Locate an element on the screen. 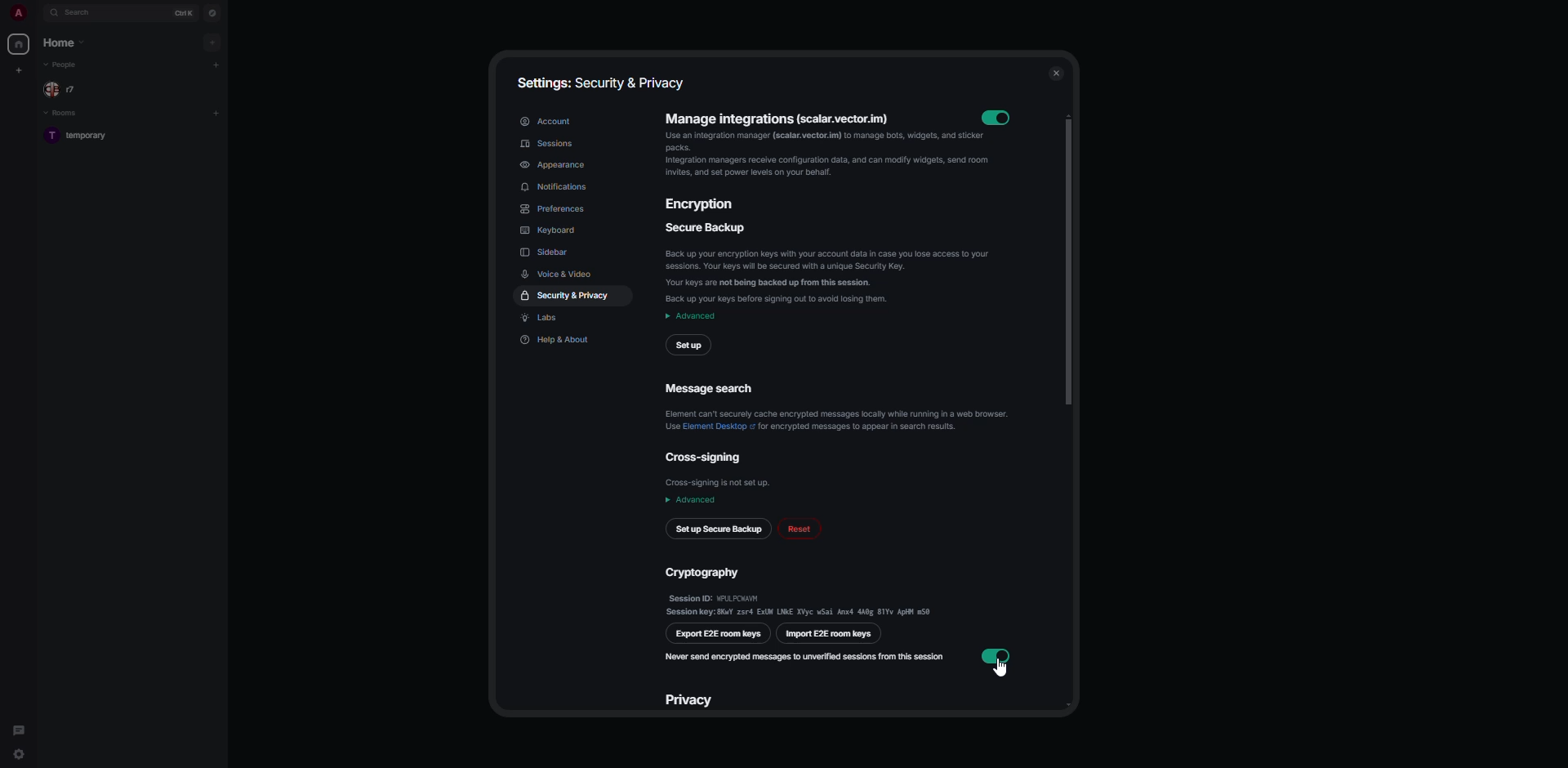 This screenshot has width=1568, height=768. home is located at coordinates (20, 44).